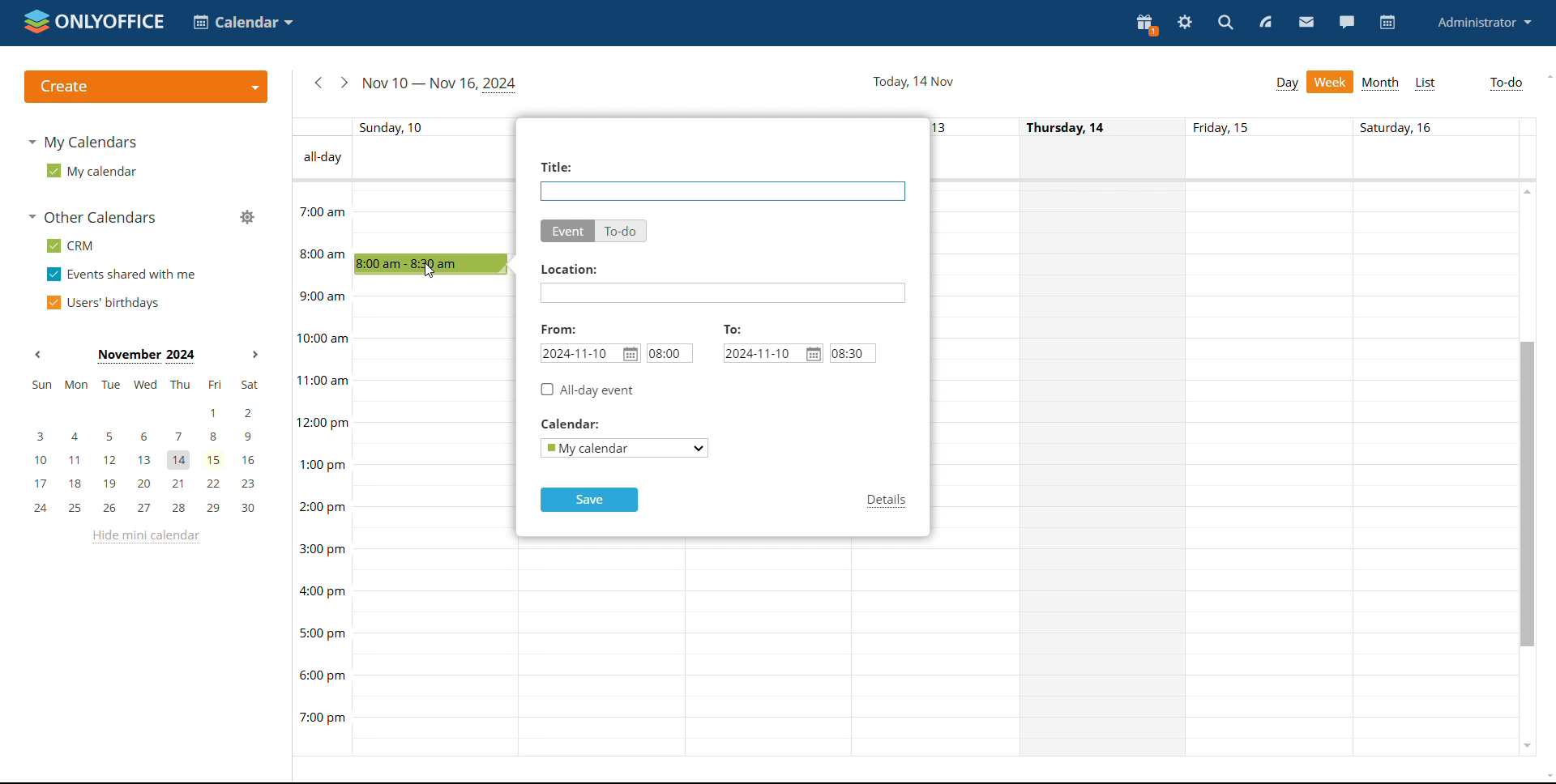  I want to click on cursor, so click(430, 271).